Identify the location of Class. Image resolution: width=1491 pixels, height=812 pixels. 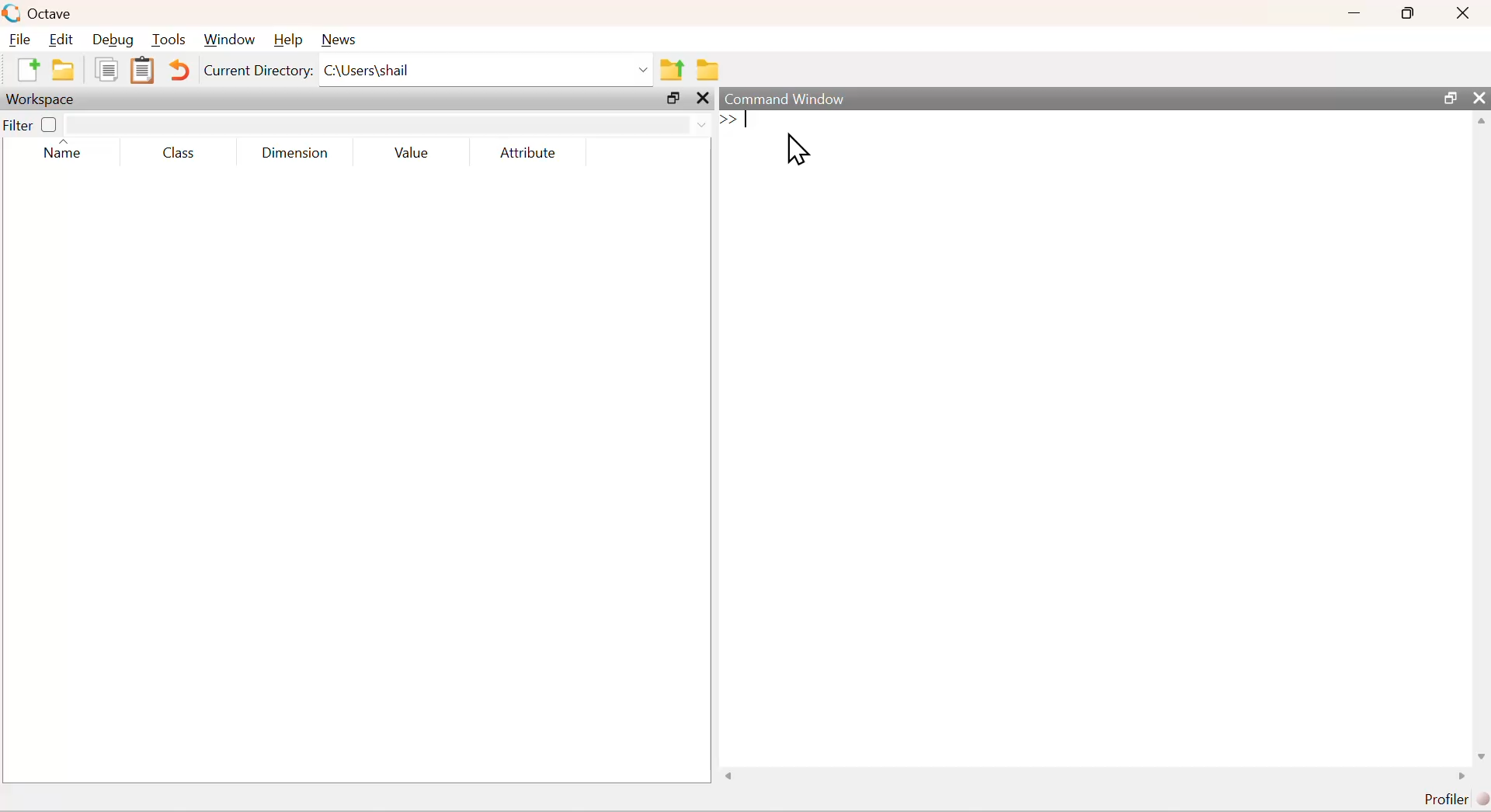
(179, 151).